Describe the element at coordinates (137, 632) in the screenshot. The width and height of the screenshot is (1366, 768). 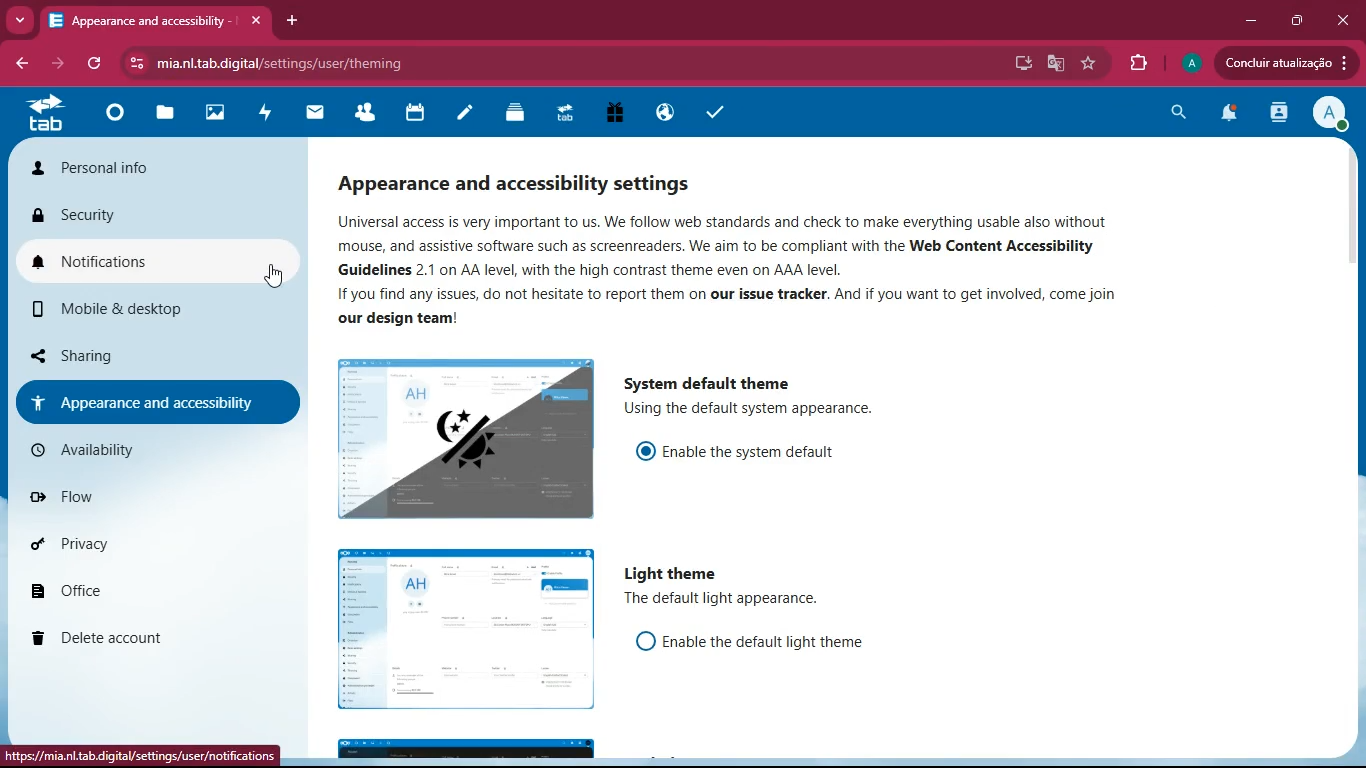
I see `delete ` at that location.